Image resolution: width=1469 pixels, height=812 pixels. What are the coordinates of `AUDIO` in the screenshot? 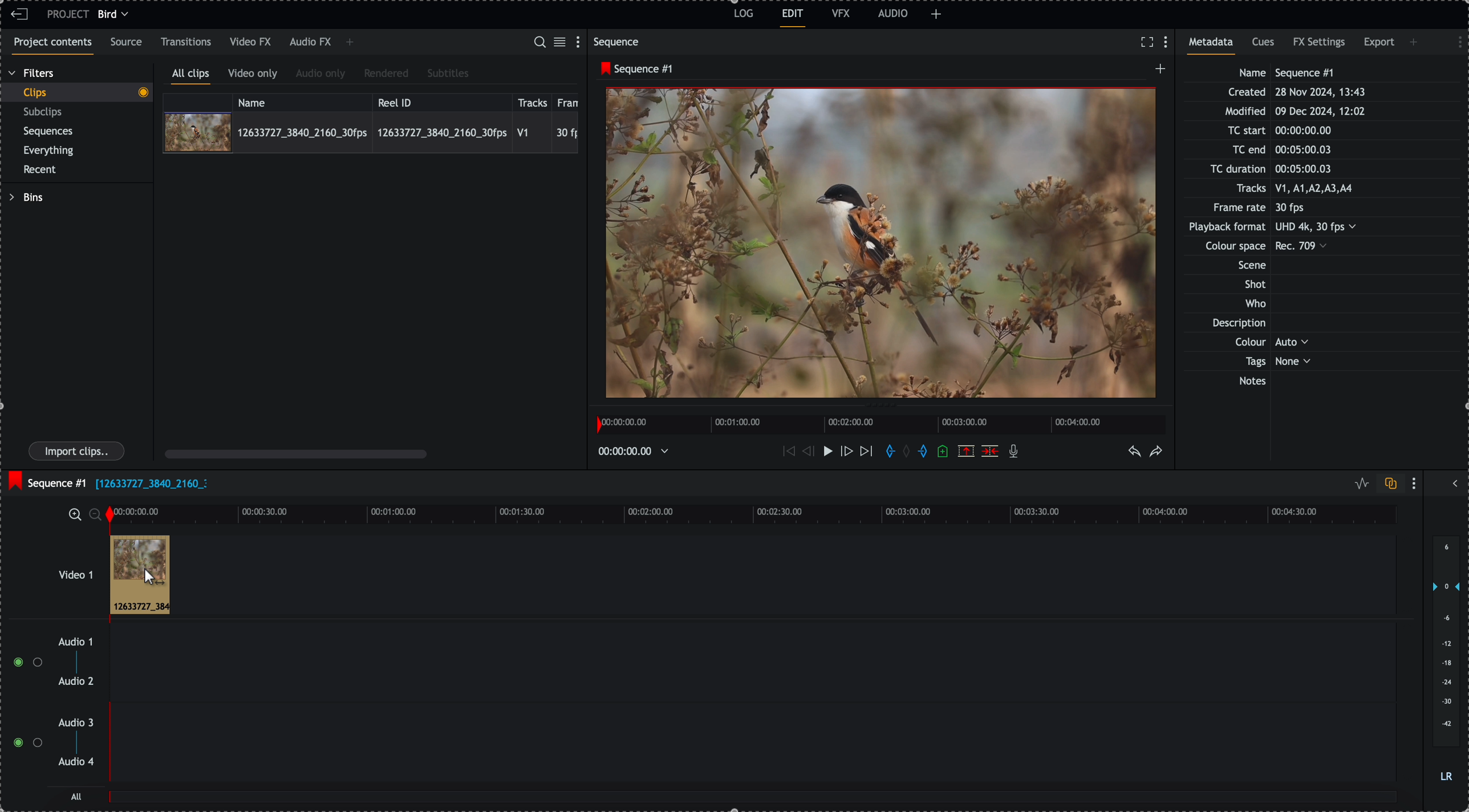 It's located at (893, 13).